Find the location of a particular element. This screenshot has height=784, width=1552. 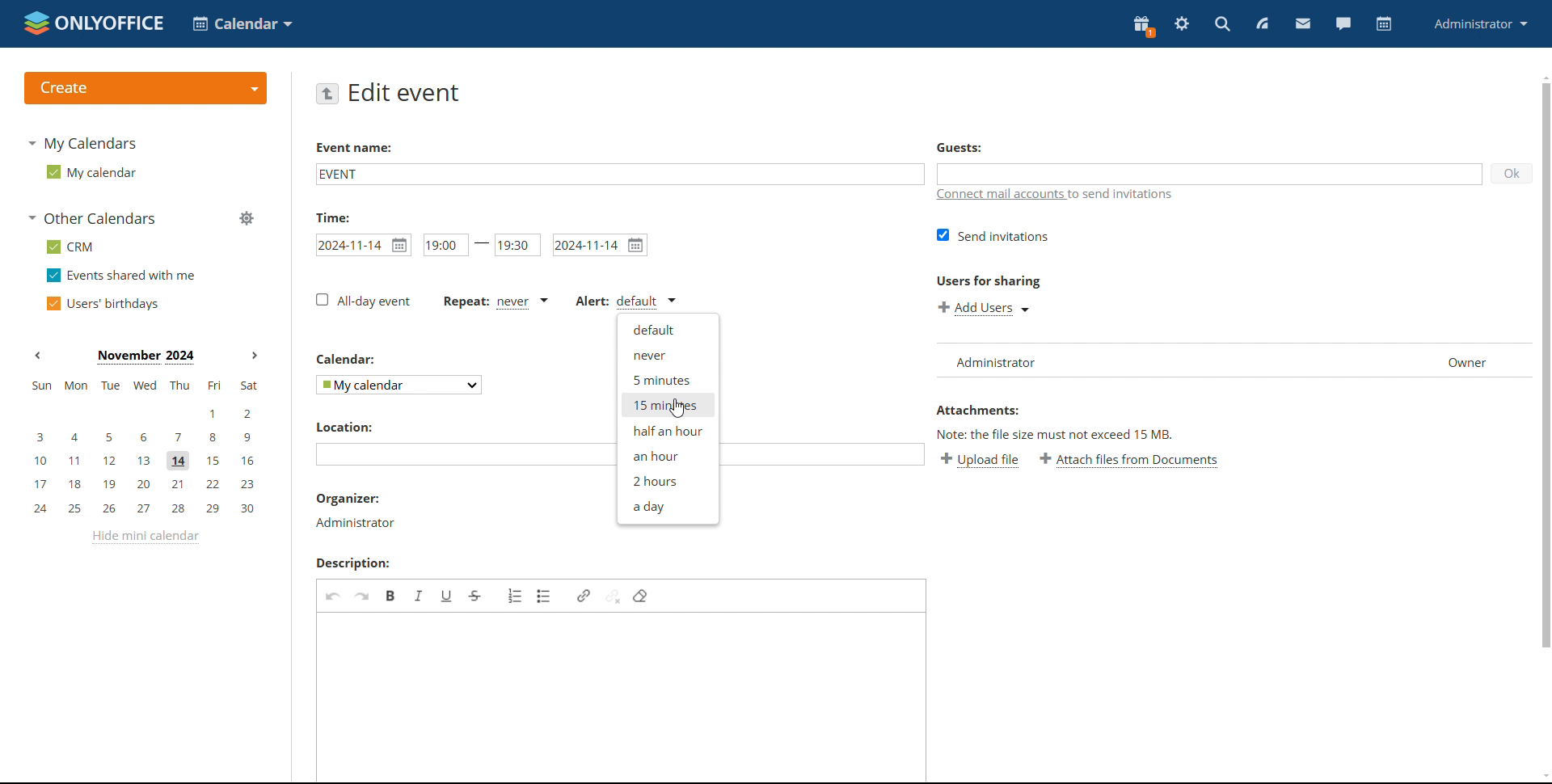

create is located at coordinates (145, 88).